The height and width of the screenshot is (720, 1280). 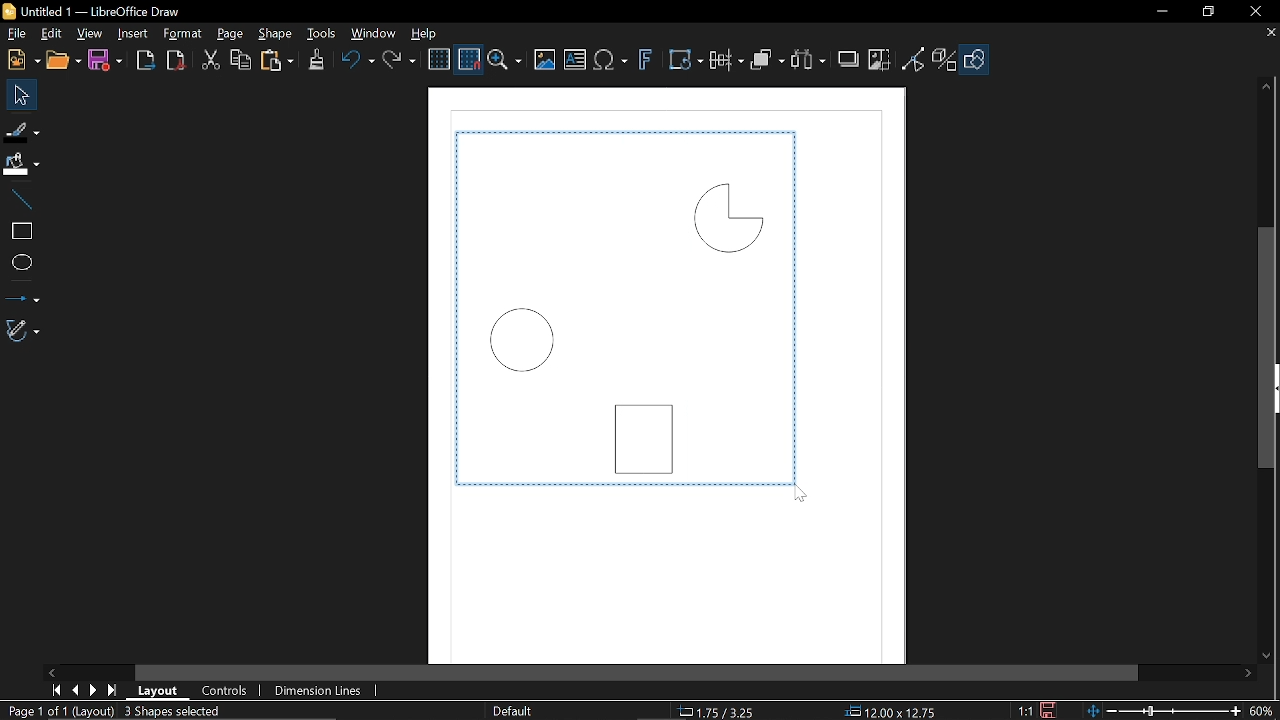 I want to click on LibreOffice Logo, so click(x=10, y=12).